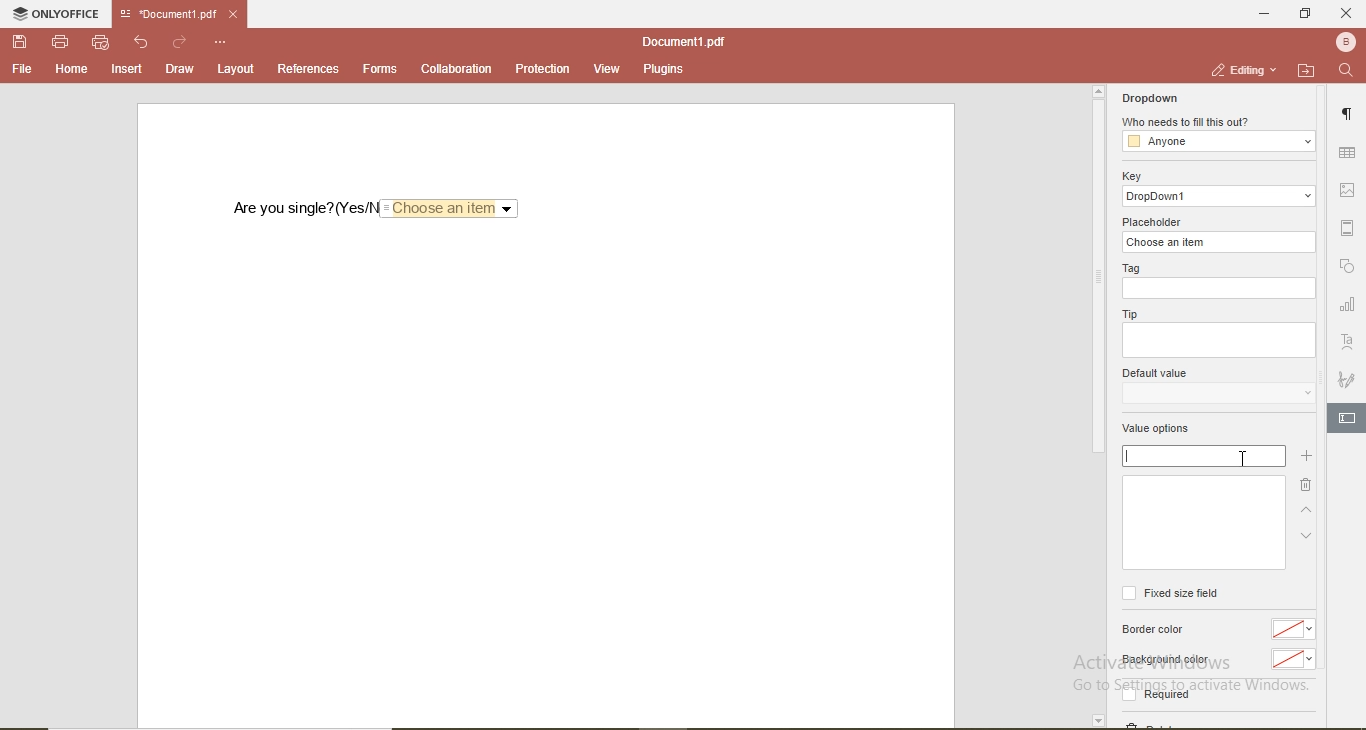 The image size is (1366, 730). I want to click on collaboration, so click(456, 69).